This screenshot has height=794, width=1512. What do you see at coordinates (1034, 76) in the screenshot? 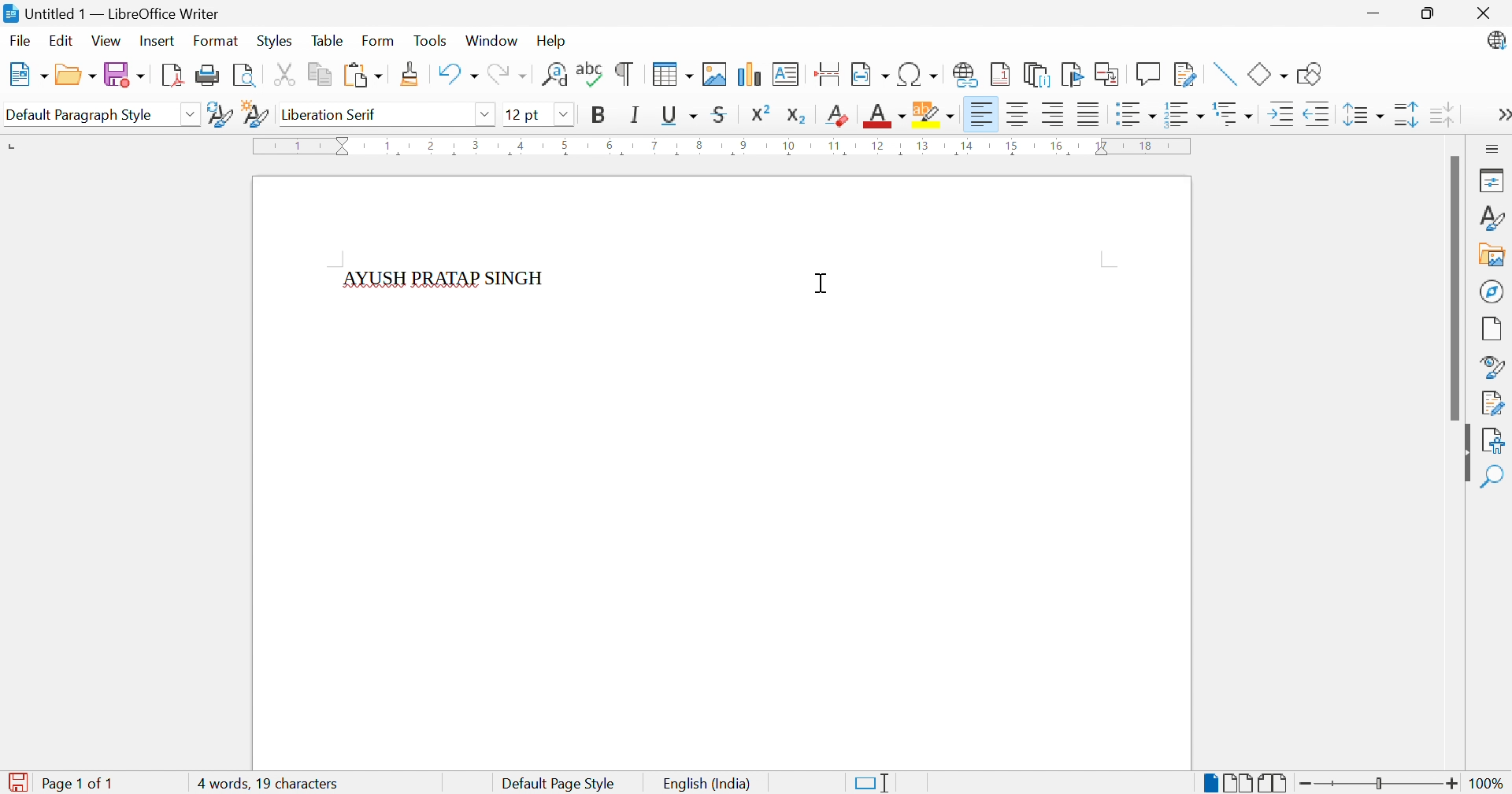
I see `Insert Endnote` at bounding box center [1034, 76].